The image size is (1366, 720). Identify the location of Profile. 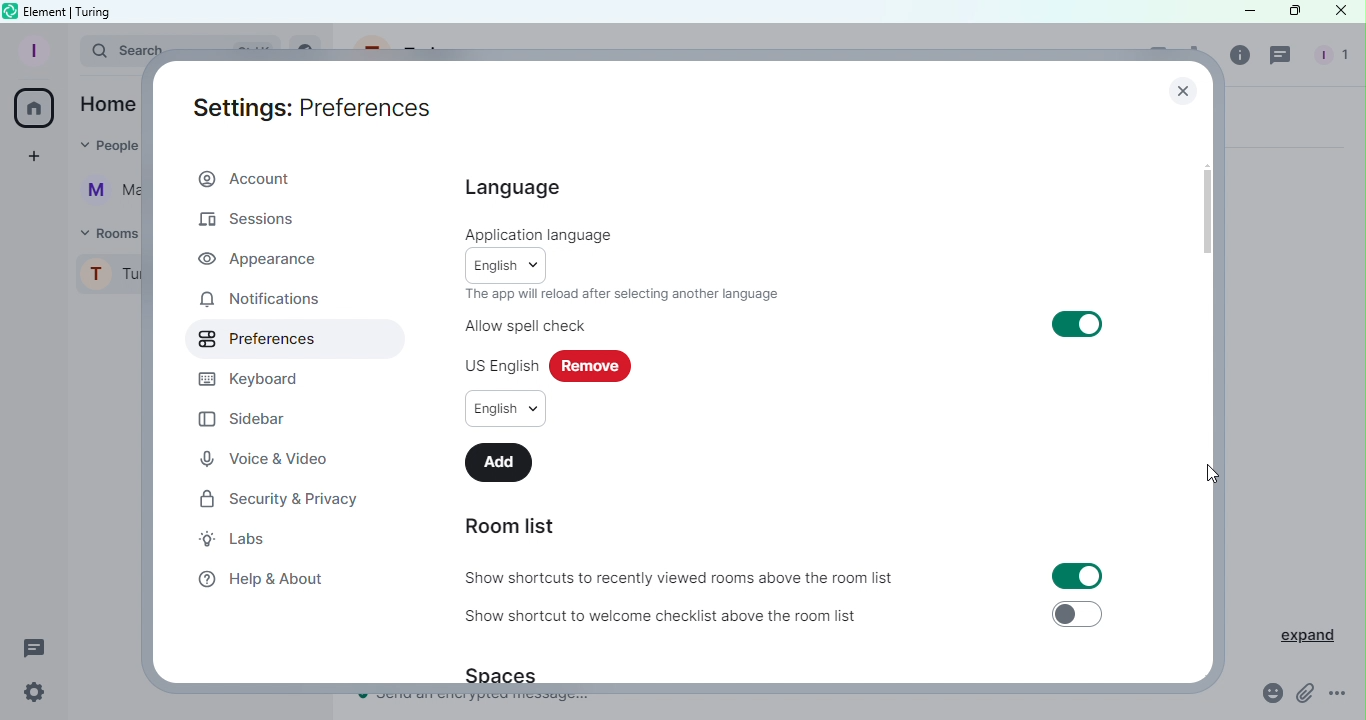
(31, 50).